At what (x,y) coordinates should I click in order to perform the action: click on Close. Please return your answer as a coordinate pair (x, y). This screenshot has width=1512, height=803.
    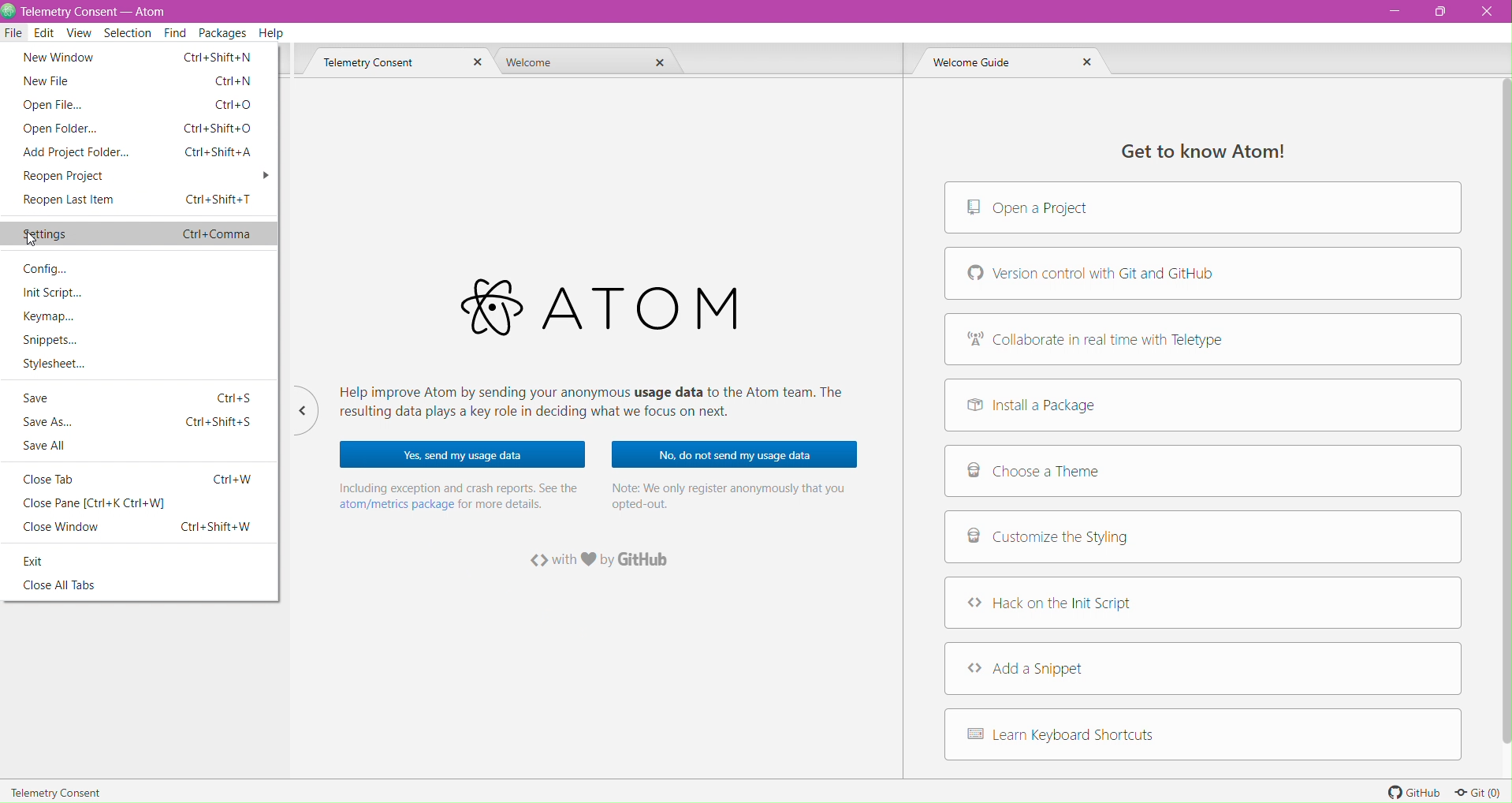
    Looking at the image, I should click on (475, 64).